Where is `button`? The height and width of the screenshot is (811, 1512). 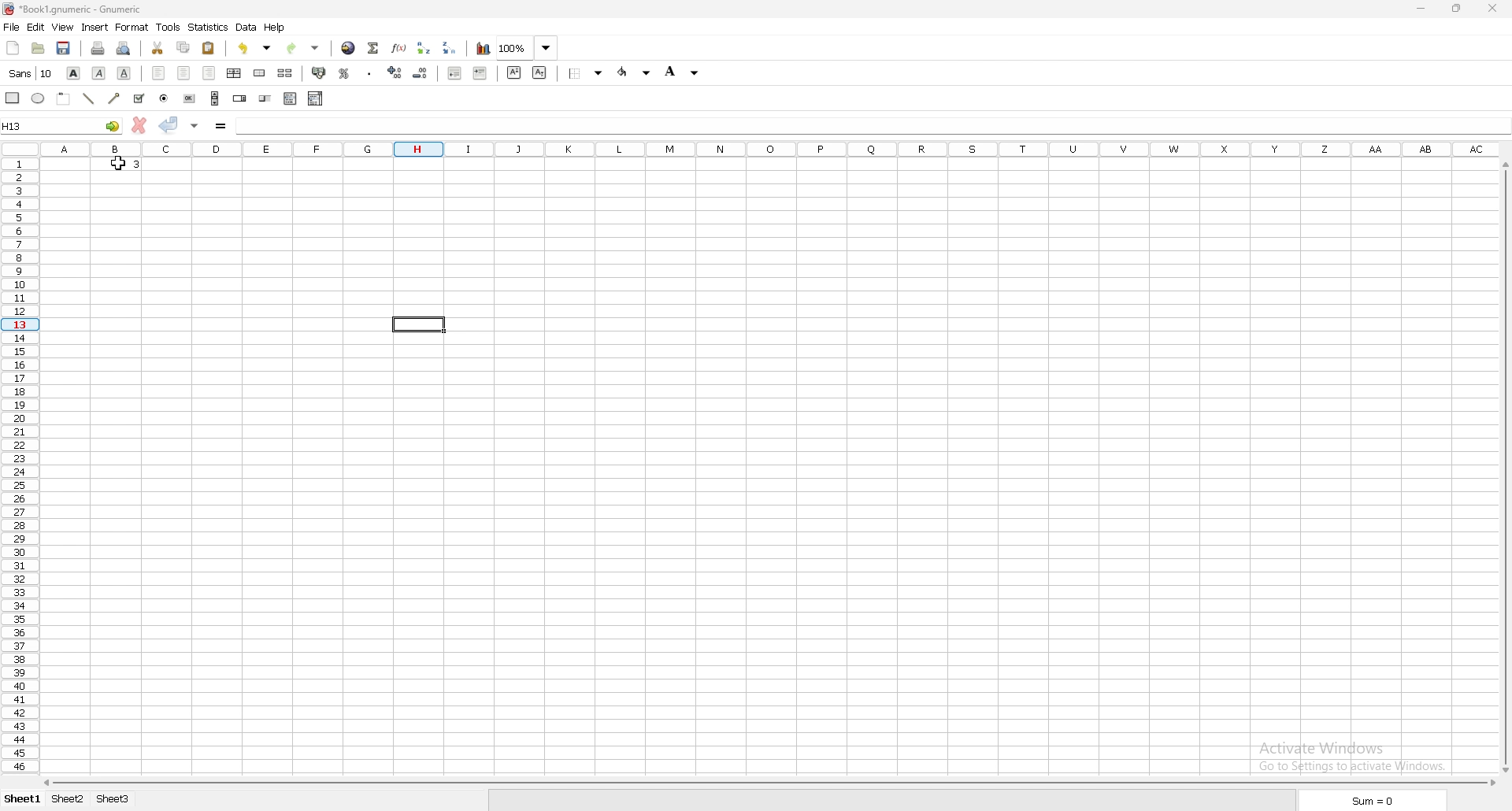 button is located at coordinates (189, 98).